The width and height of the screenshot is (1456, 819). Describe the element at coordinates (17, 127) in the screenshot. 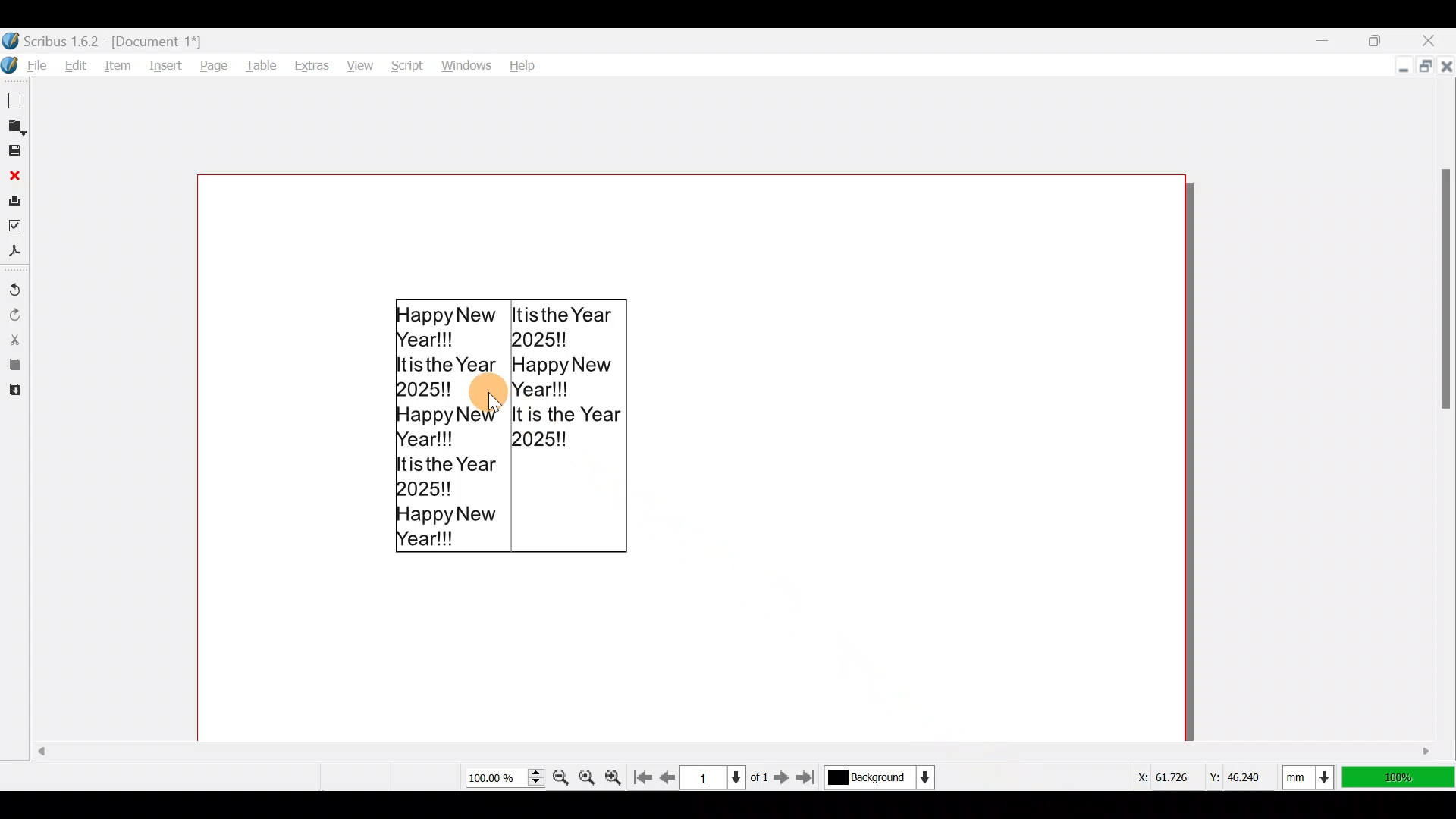

I see `Open` at that location.